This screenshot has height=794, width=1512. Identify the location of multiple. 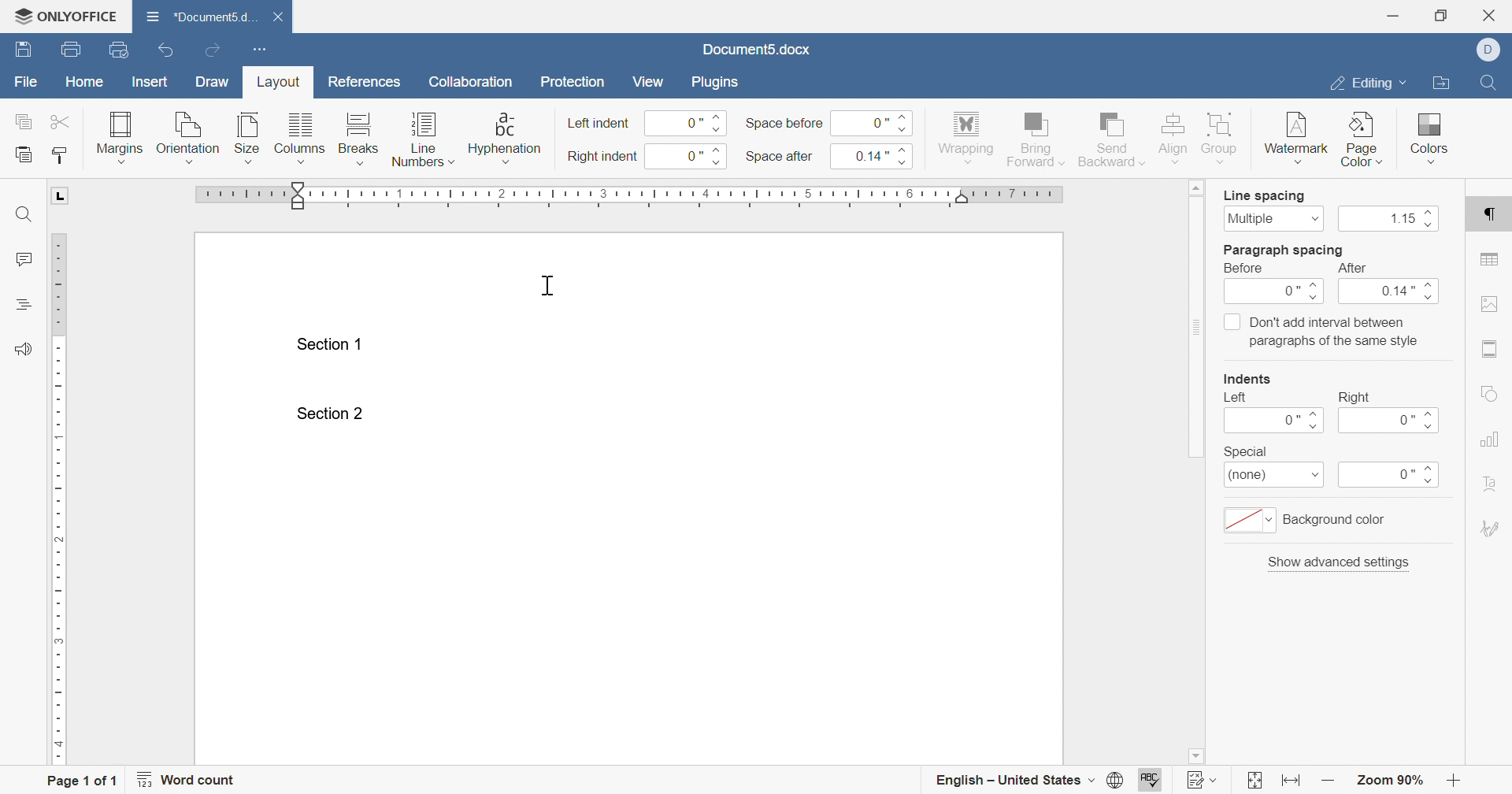
(1273, 218).